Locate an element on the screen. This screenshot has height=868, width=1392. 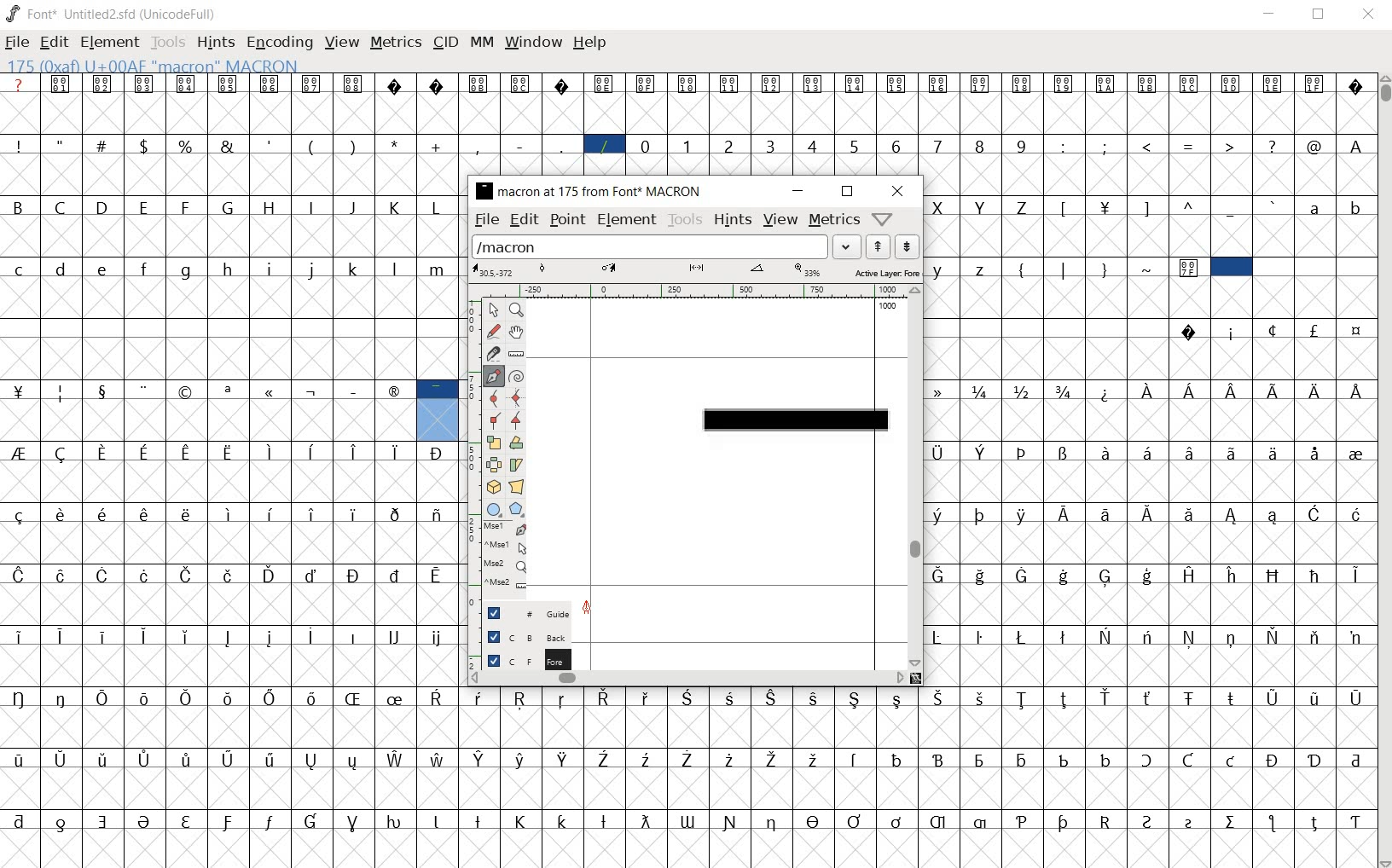
Symbol is located at coordinates (1274, 331).